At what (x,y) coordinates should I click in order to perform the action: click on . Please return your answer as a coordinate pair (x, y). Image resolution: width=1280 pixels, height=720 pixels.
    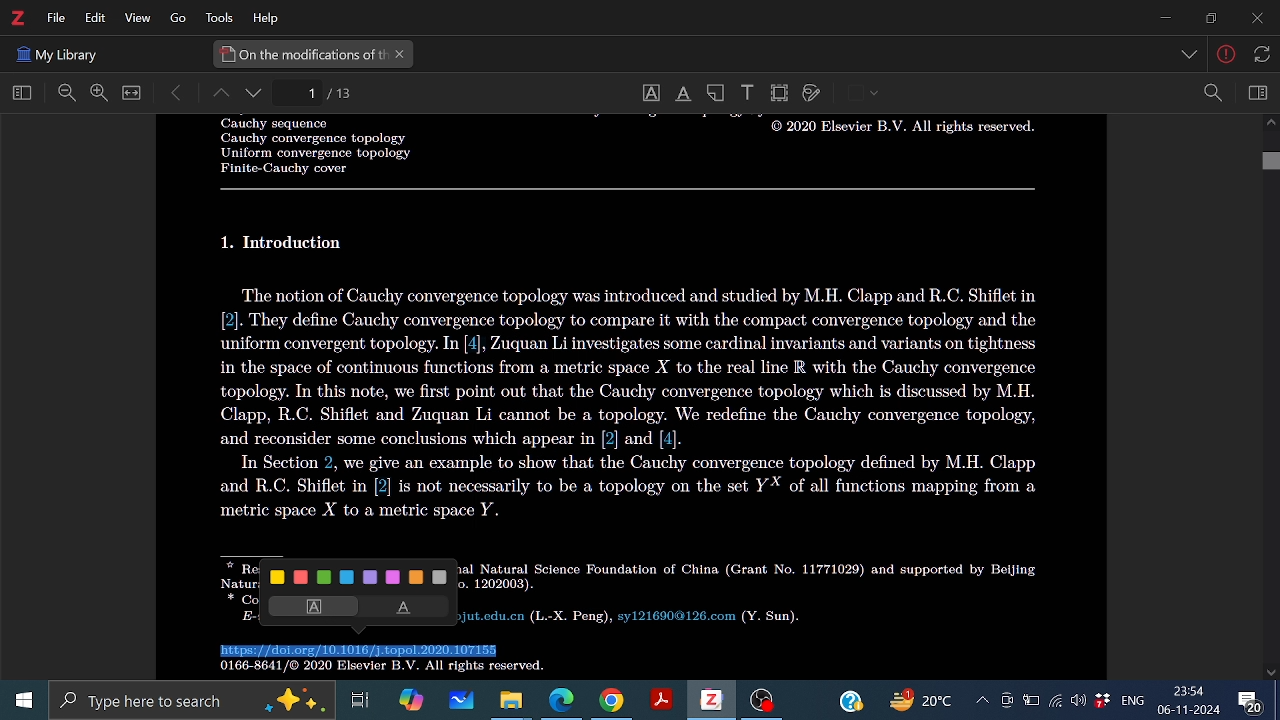
    Looking at the image, I should click on (57, 52).